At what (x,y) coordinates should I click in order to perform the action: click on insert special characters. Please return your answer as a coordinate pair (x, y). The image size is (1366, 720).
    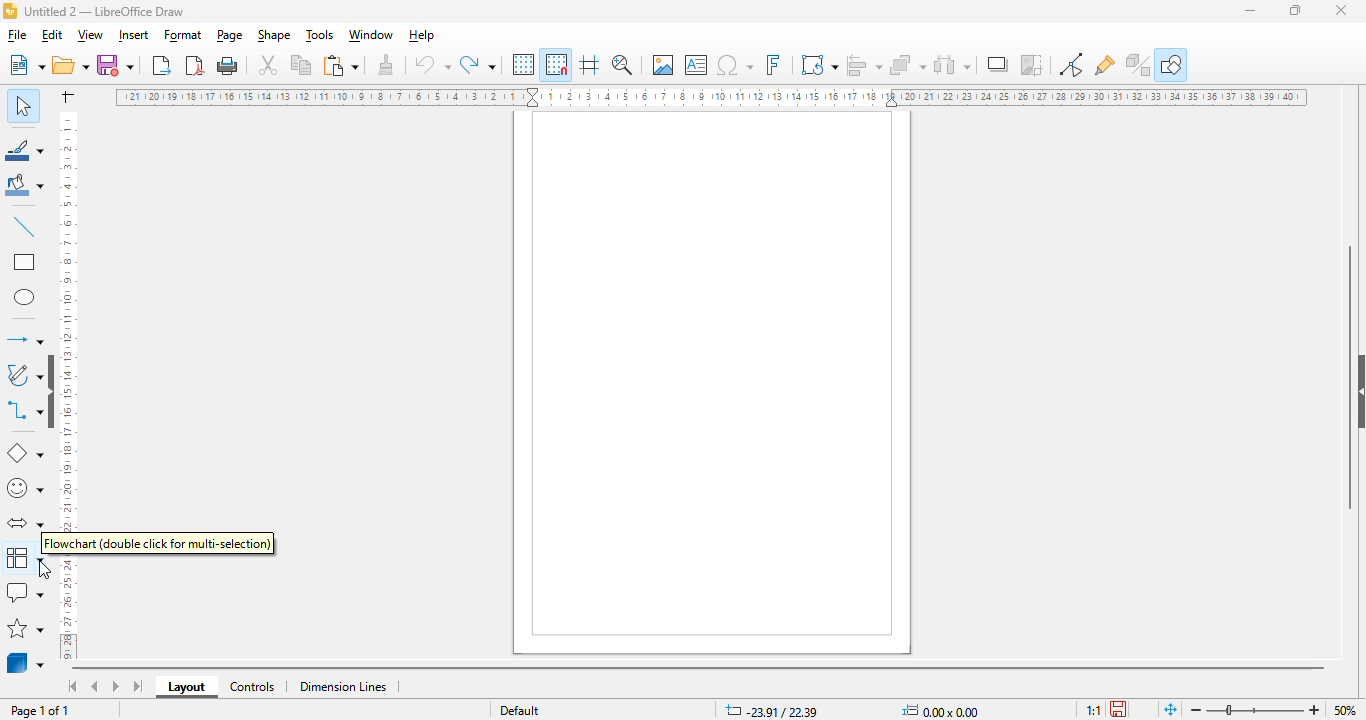
    Looking at the image, I should click on (735, 65).